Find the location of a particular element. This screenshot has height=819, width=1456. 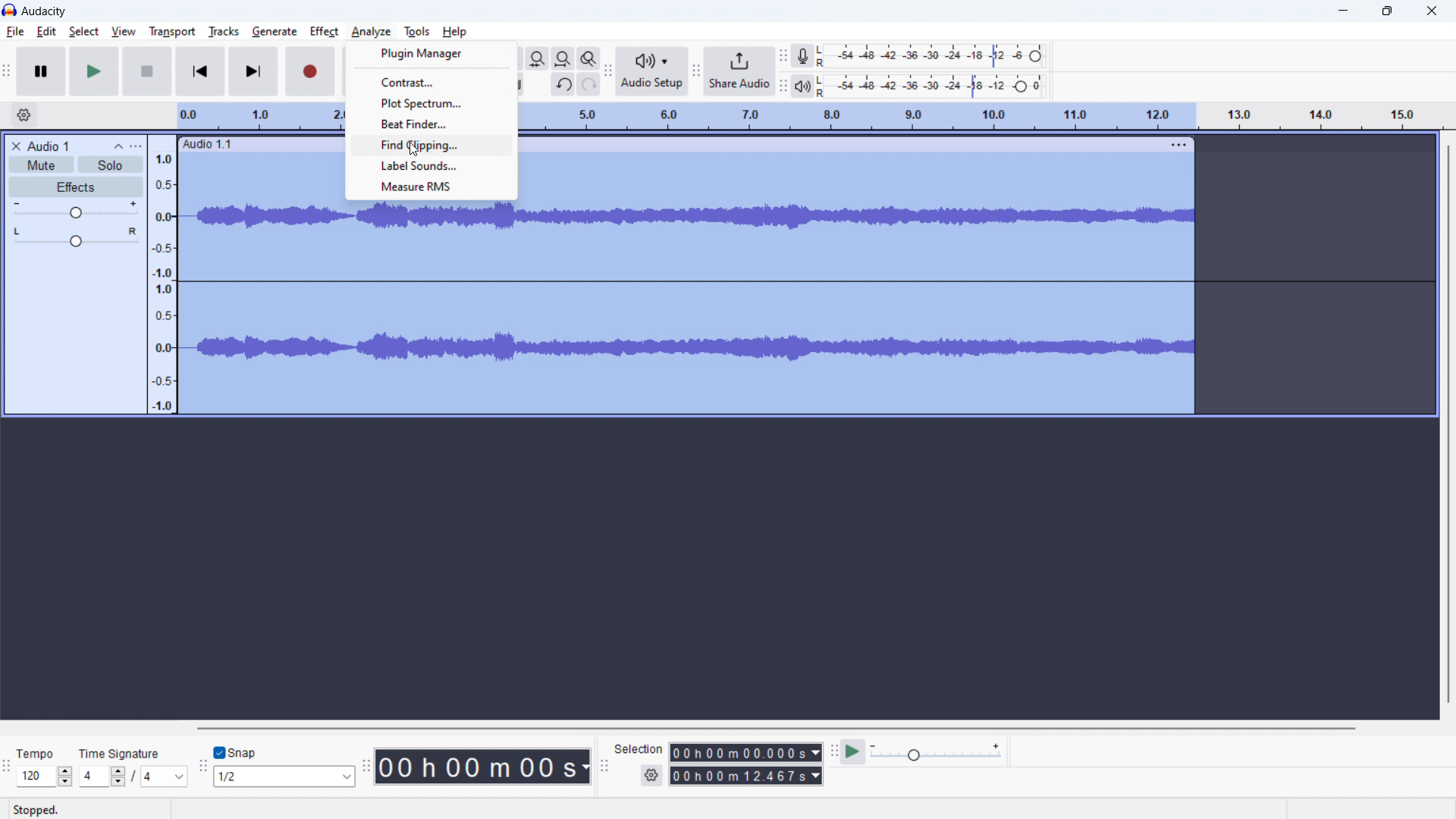

recording level is located at coordinates (930, 55).